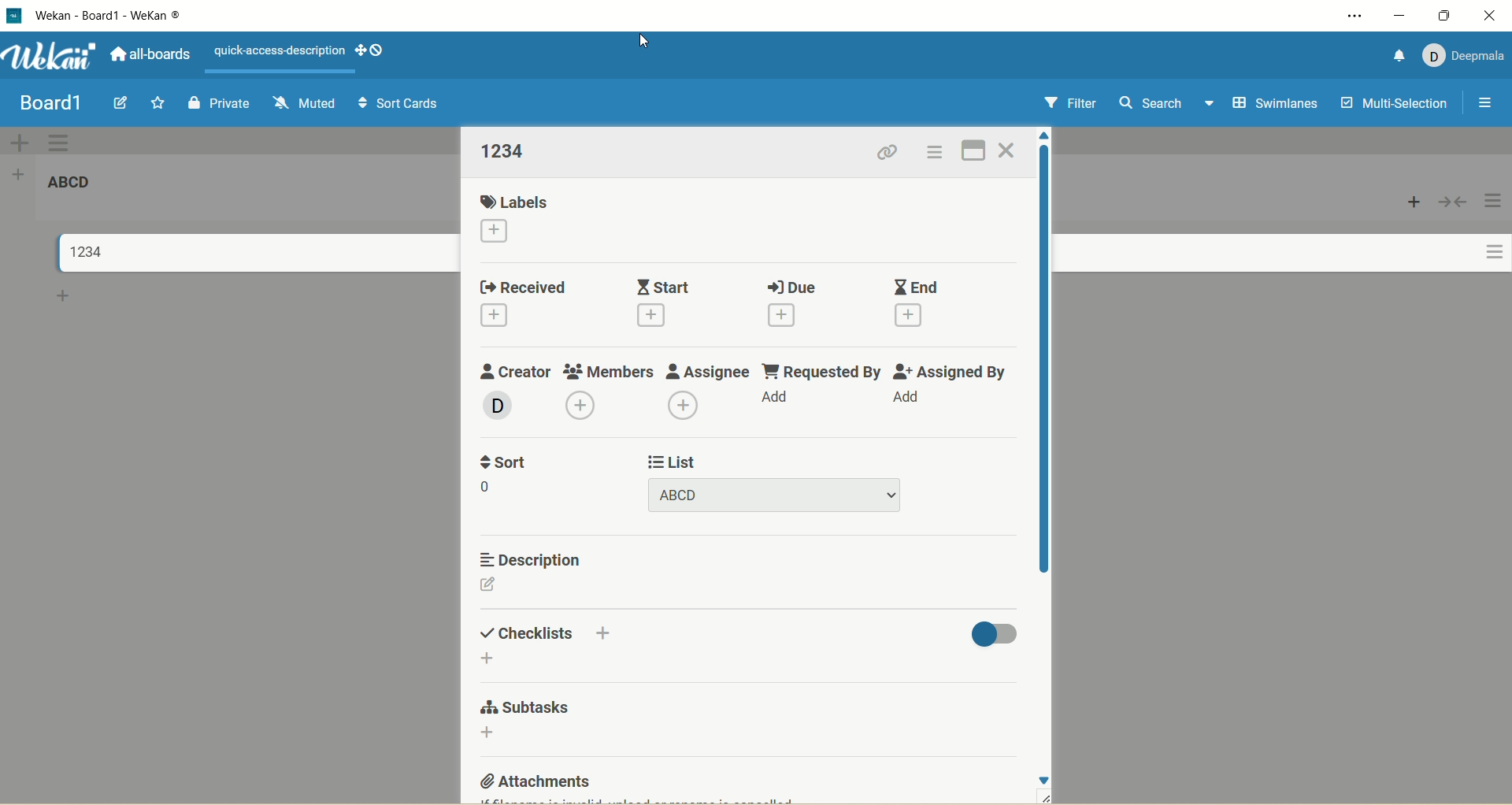  I want to click on attachments, so click(532, 778).